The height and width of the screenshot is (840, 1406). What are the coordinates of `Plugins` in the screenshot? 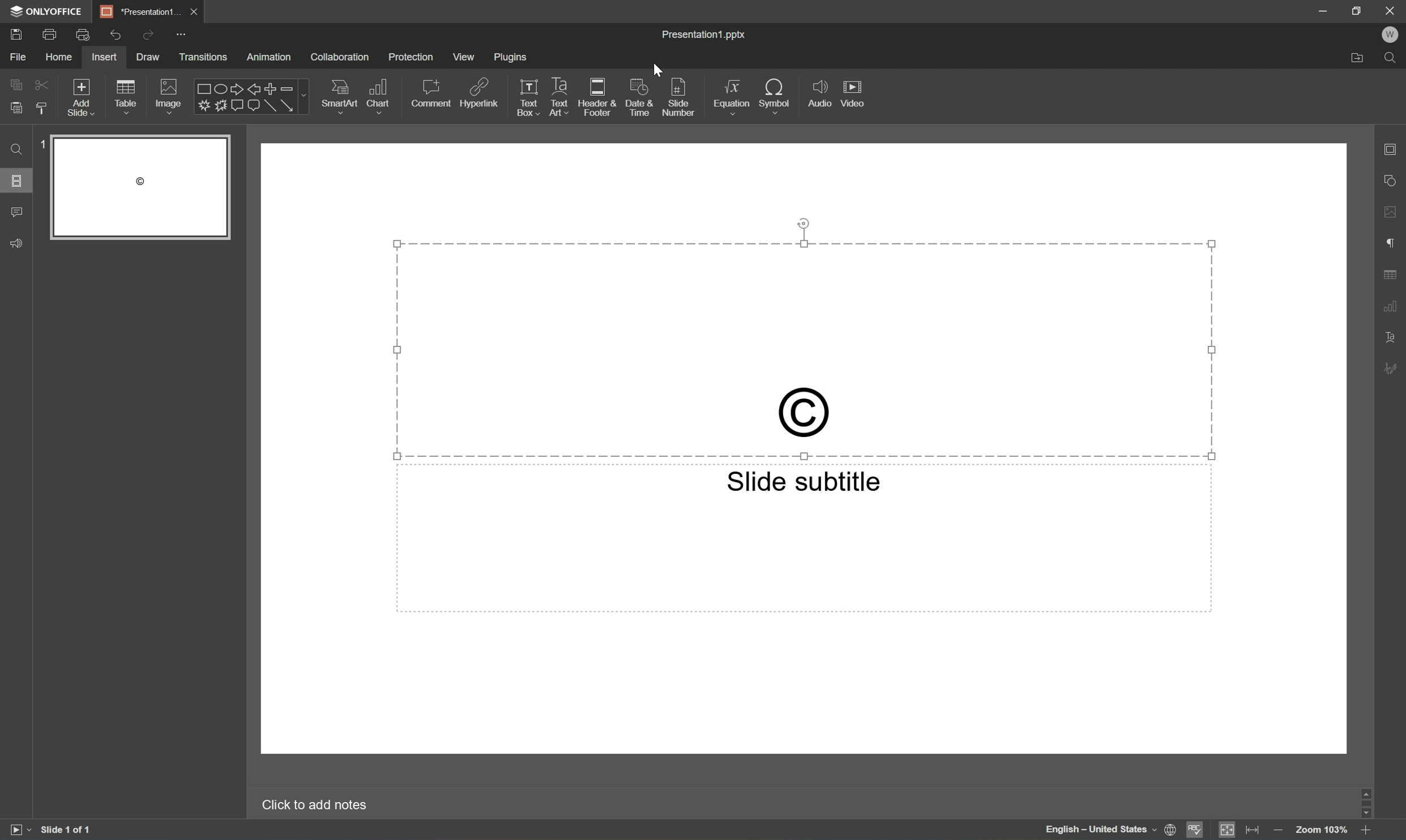 It's located at (513, 57).